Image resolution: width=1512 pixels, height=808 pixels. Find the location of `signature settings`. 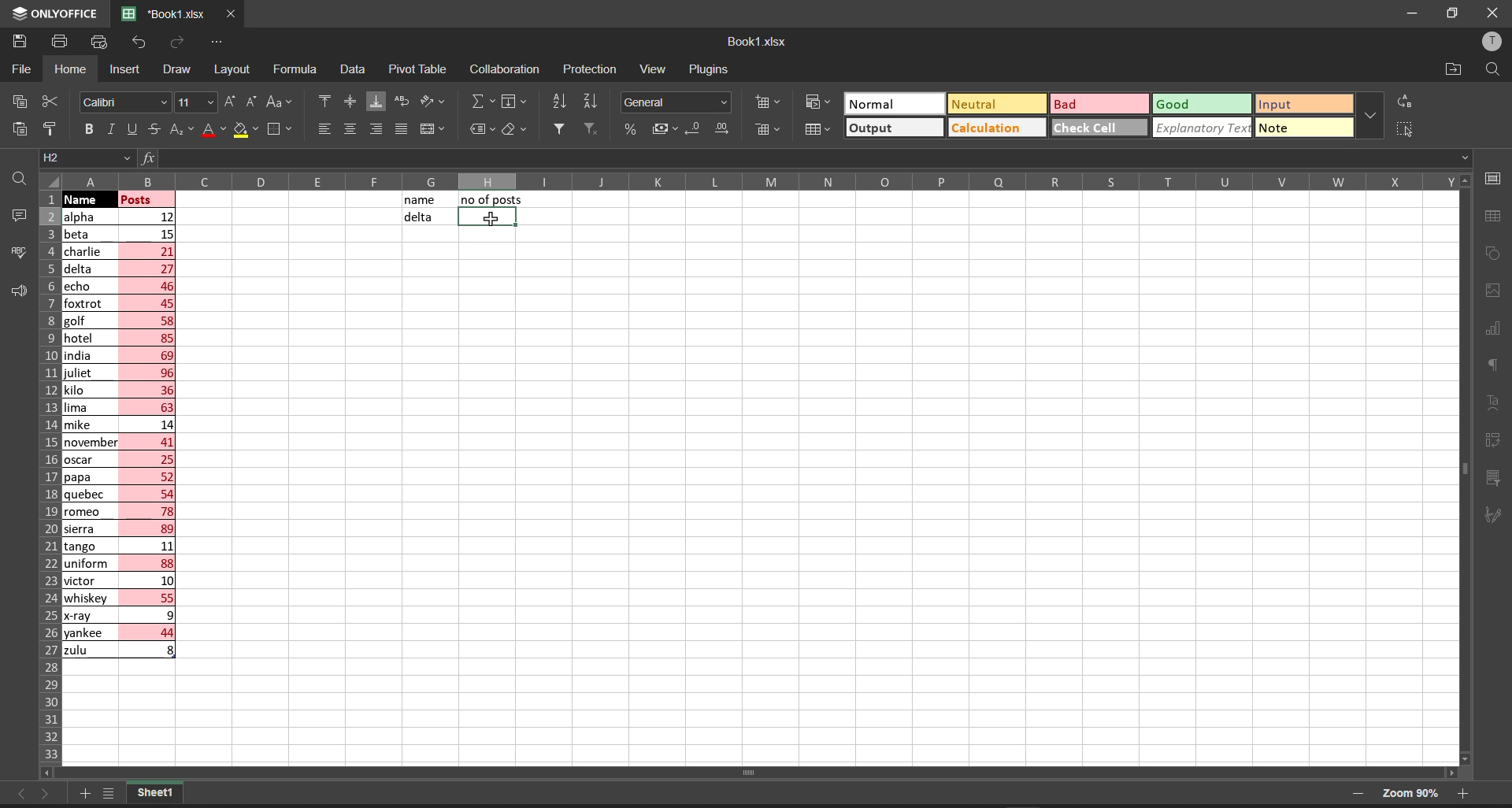

signature settings is located at coordinates (1498, 513).